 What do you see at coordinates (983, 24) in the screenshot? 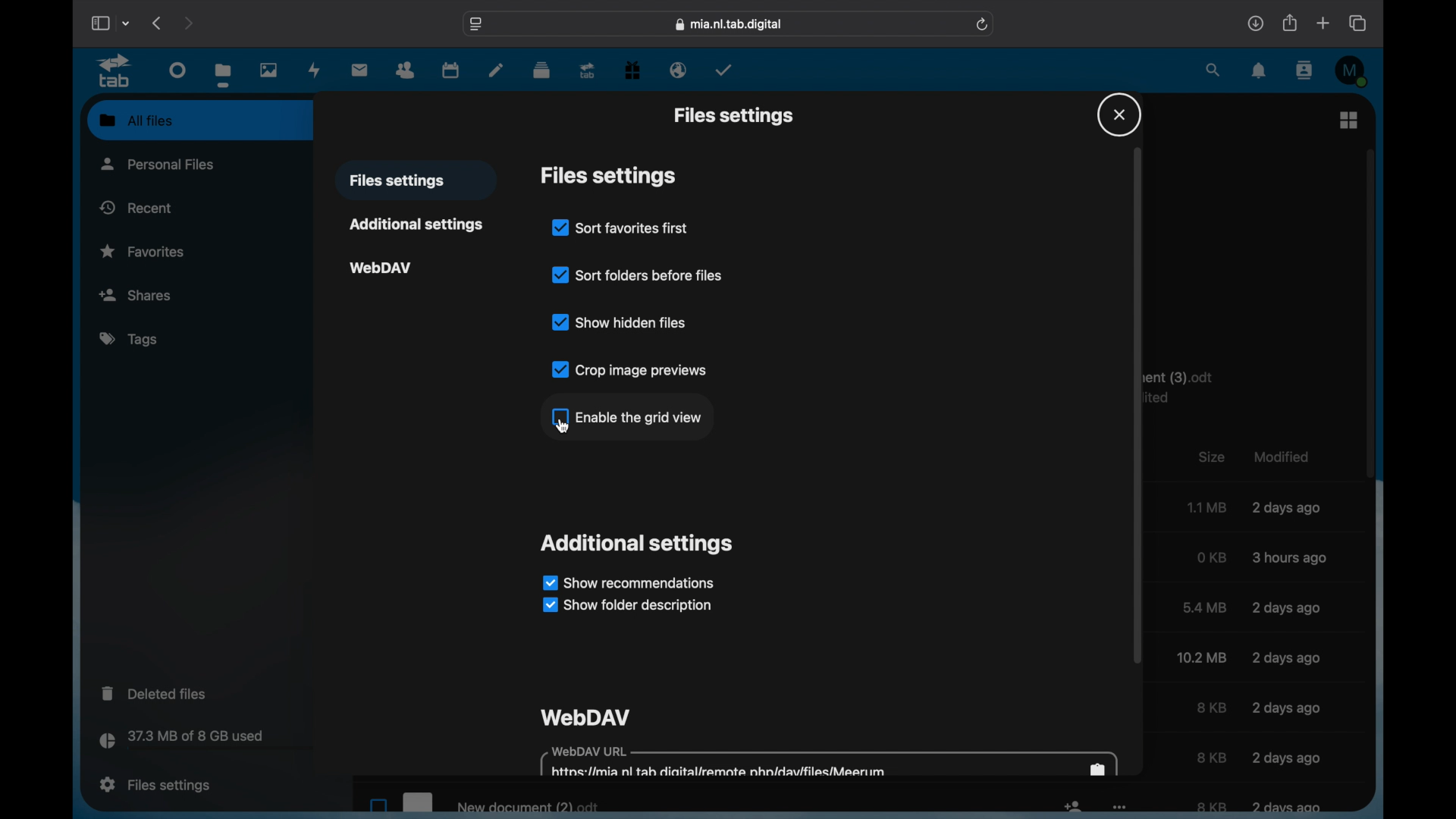
I see `refresh` at bounding box center [983, 24].